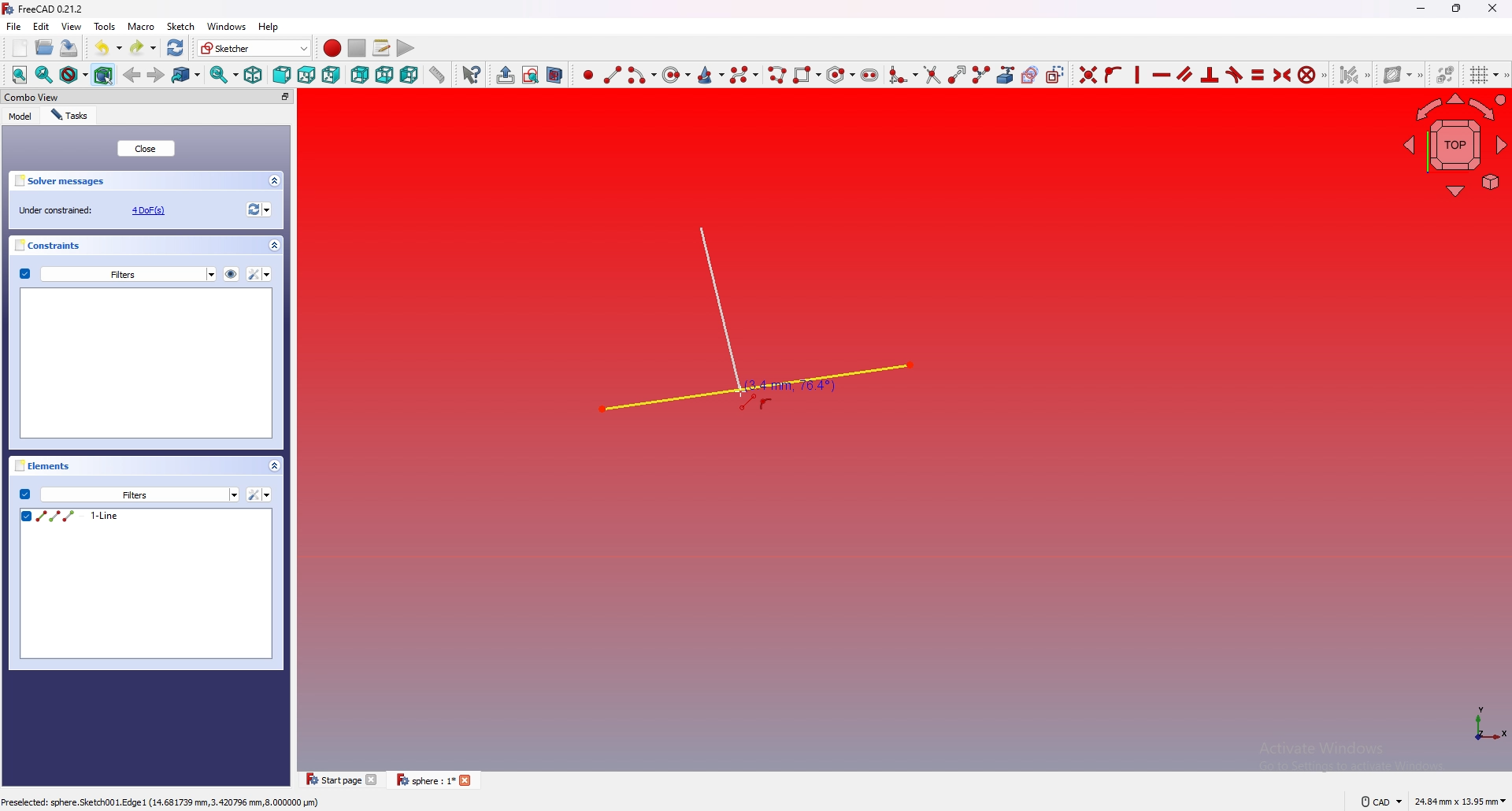 Image resolution: width=1512 pixels, height=811 pixels. What do you see at coordinates (156, 74) in the screenshot?
I see `Forward` at bounding box center [156, 74].